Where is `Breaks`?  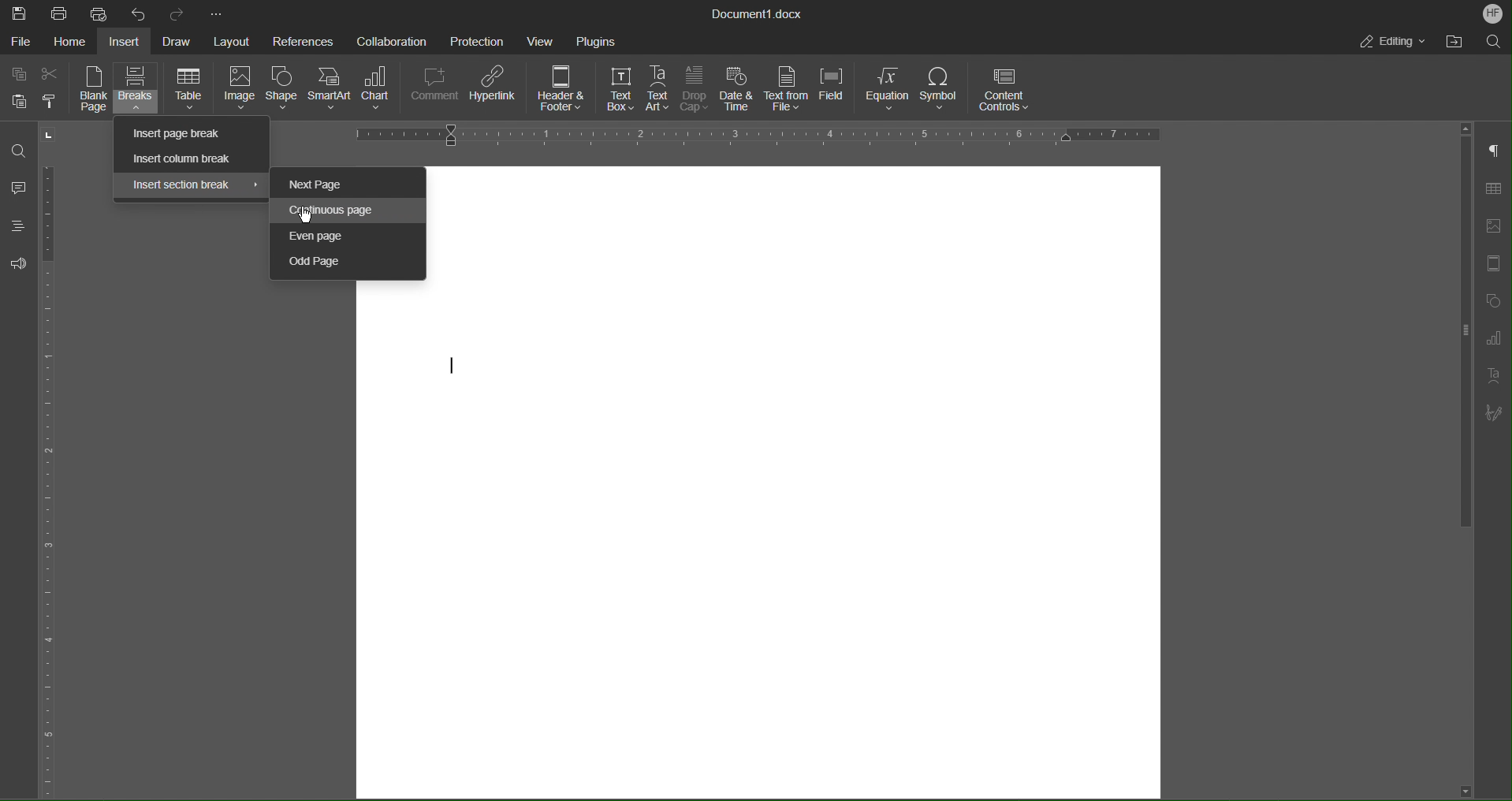
Breaks is located at coordinates (136, 89).